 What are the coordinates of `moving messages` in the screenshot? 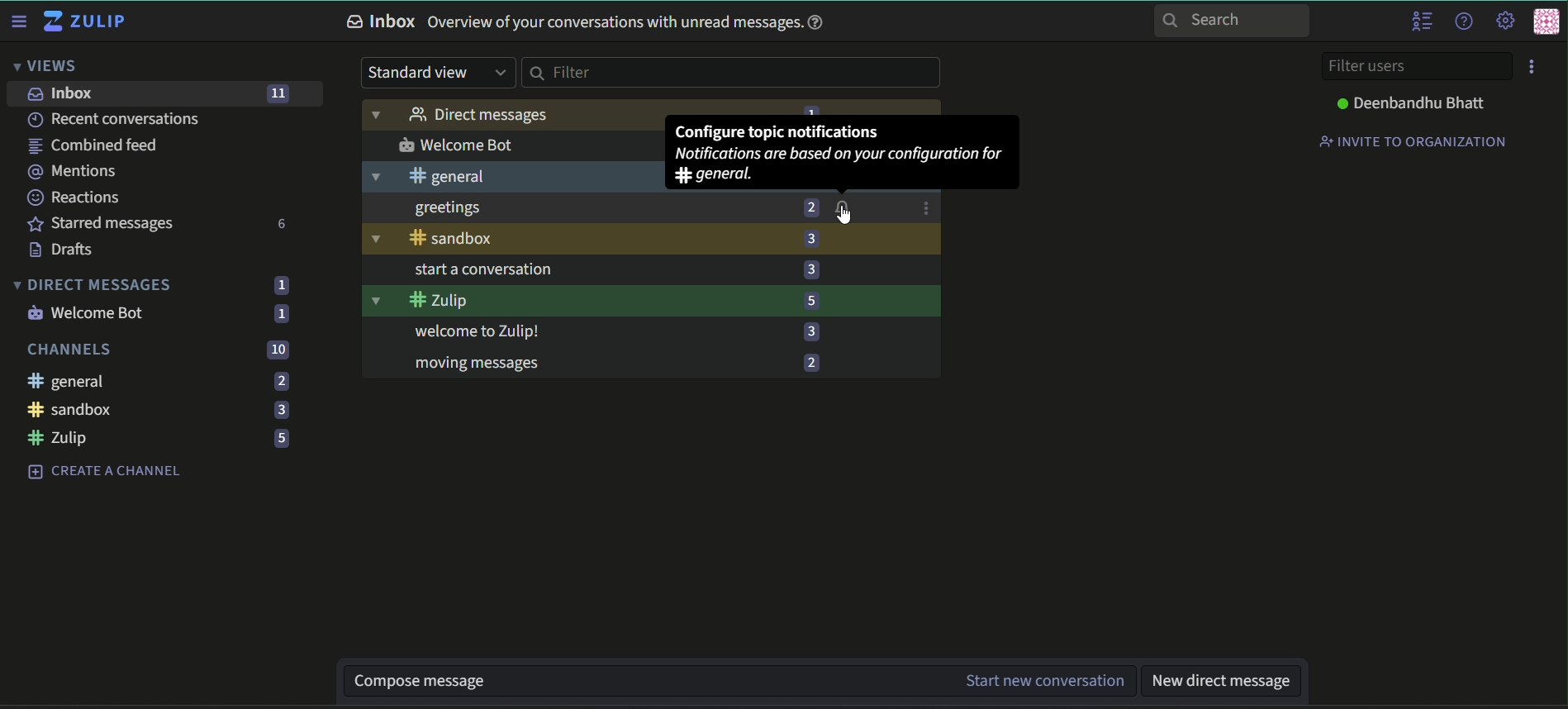 It's located at (596, 365).